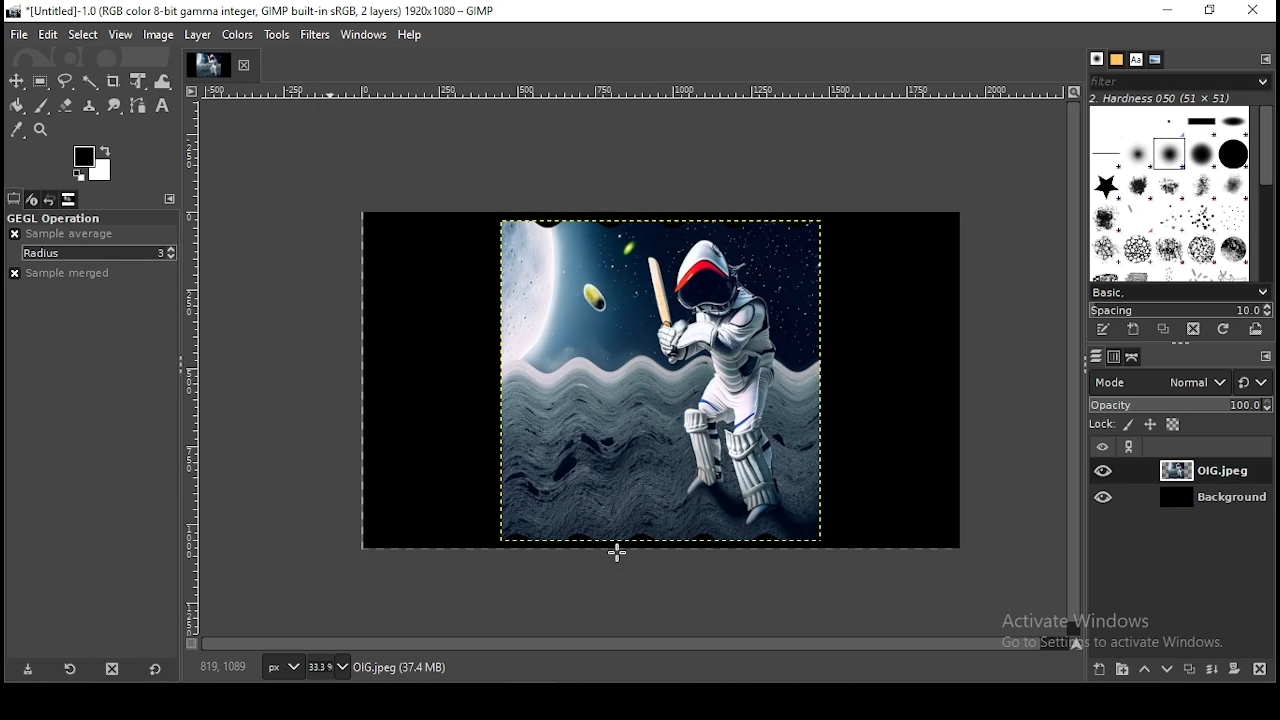  Describe the element at coordinates (656, 379) in the screenshot. I see `picture (ripple filter)` at that location.